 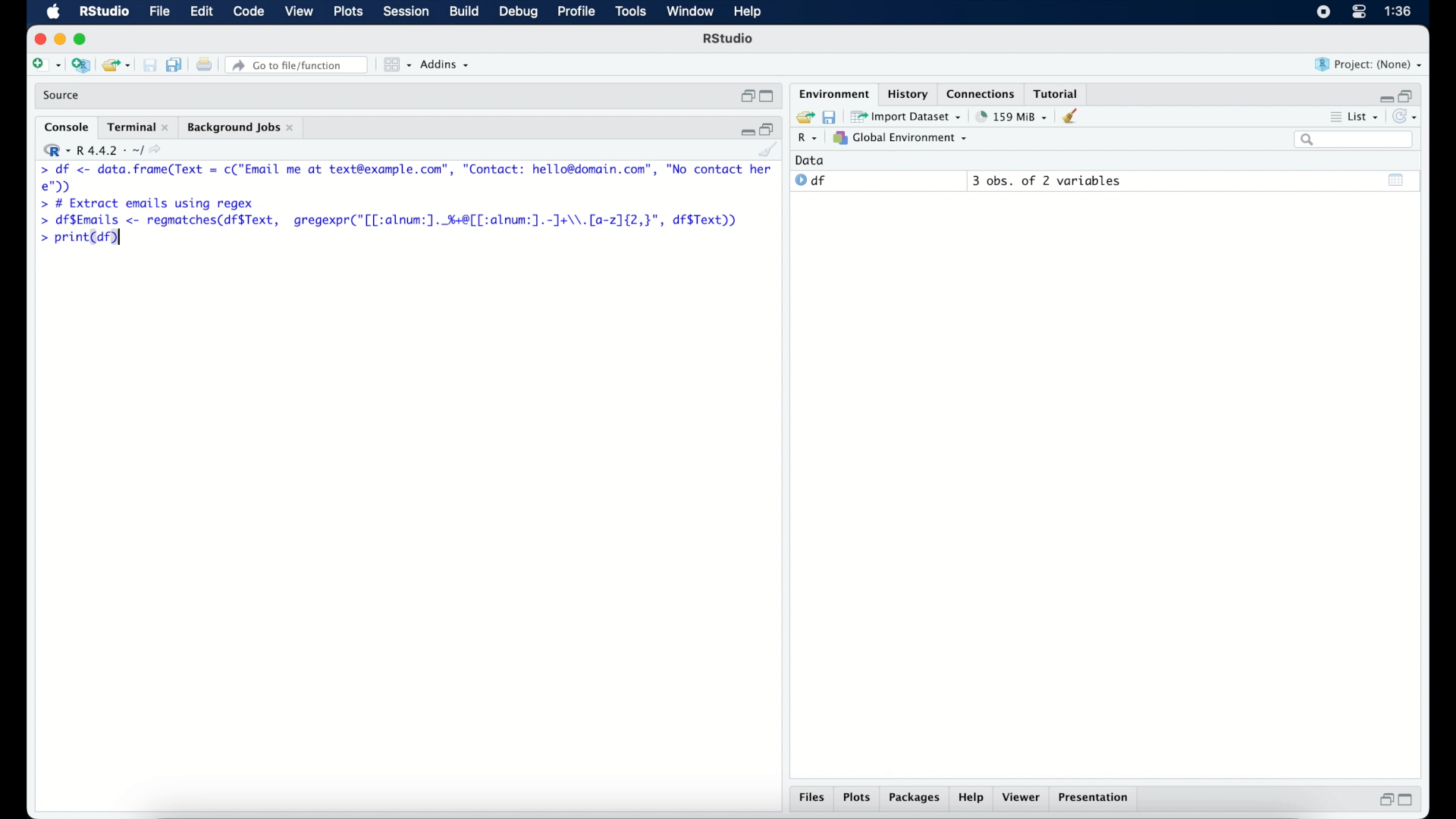 What do you see at coordinates (972, 799) in the screenshot?
I see `help` at bounding box center [972, 799].